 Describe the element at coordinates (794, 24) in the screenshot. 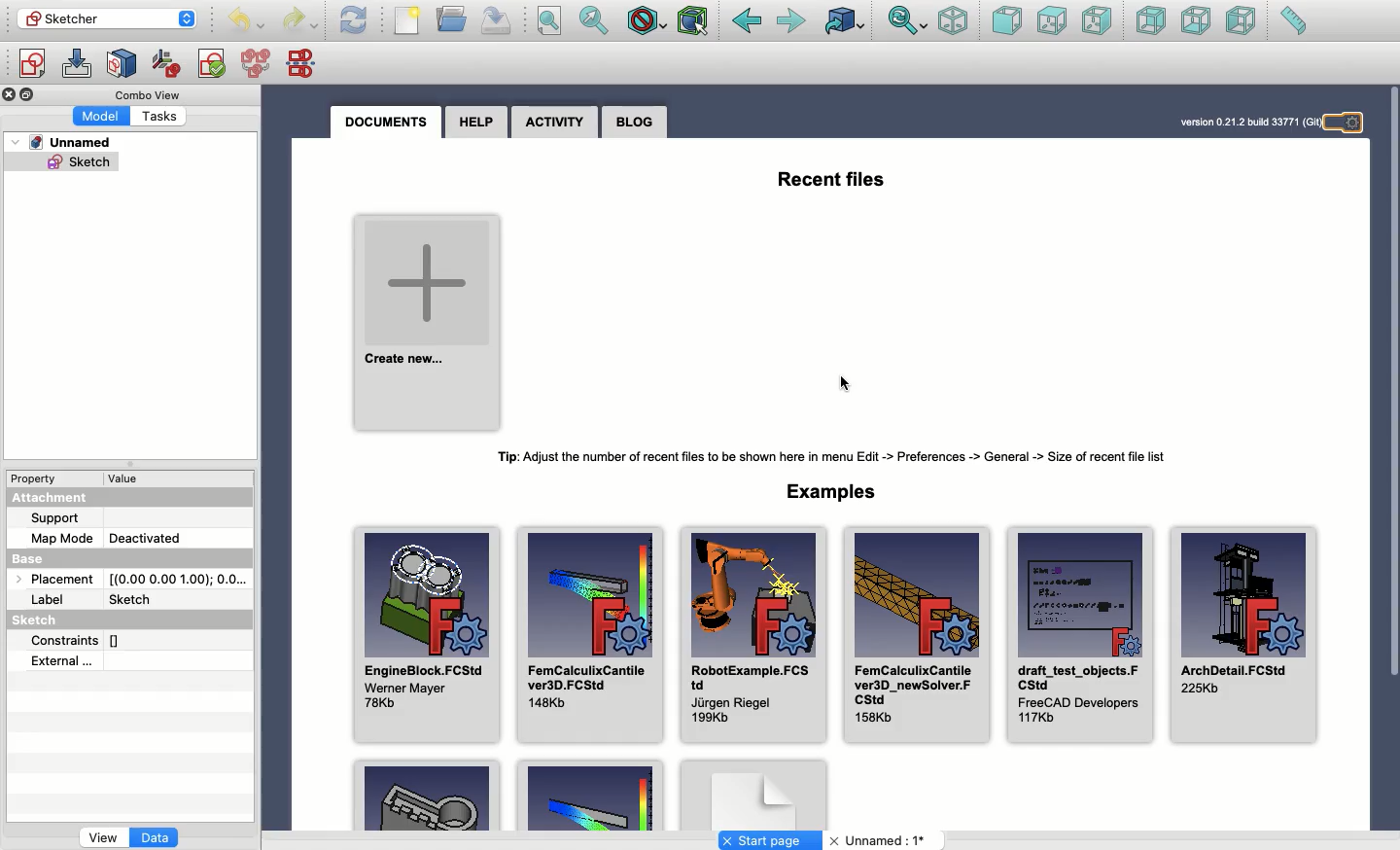

I see `Forward` at that location.